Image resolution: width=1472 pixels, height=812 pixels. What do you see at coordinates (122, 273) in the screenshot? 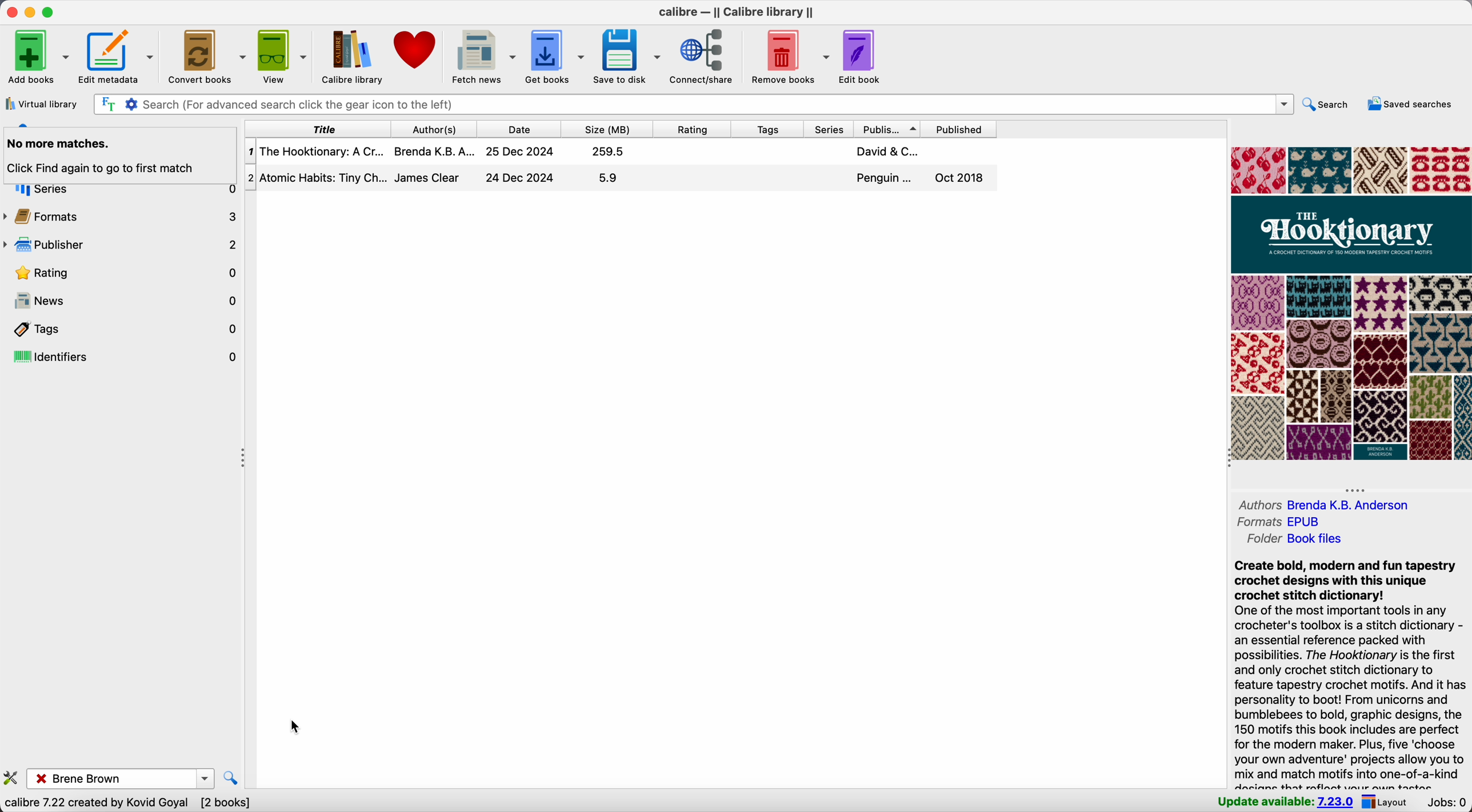
I see `rating` at bounding box center [122, 273].